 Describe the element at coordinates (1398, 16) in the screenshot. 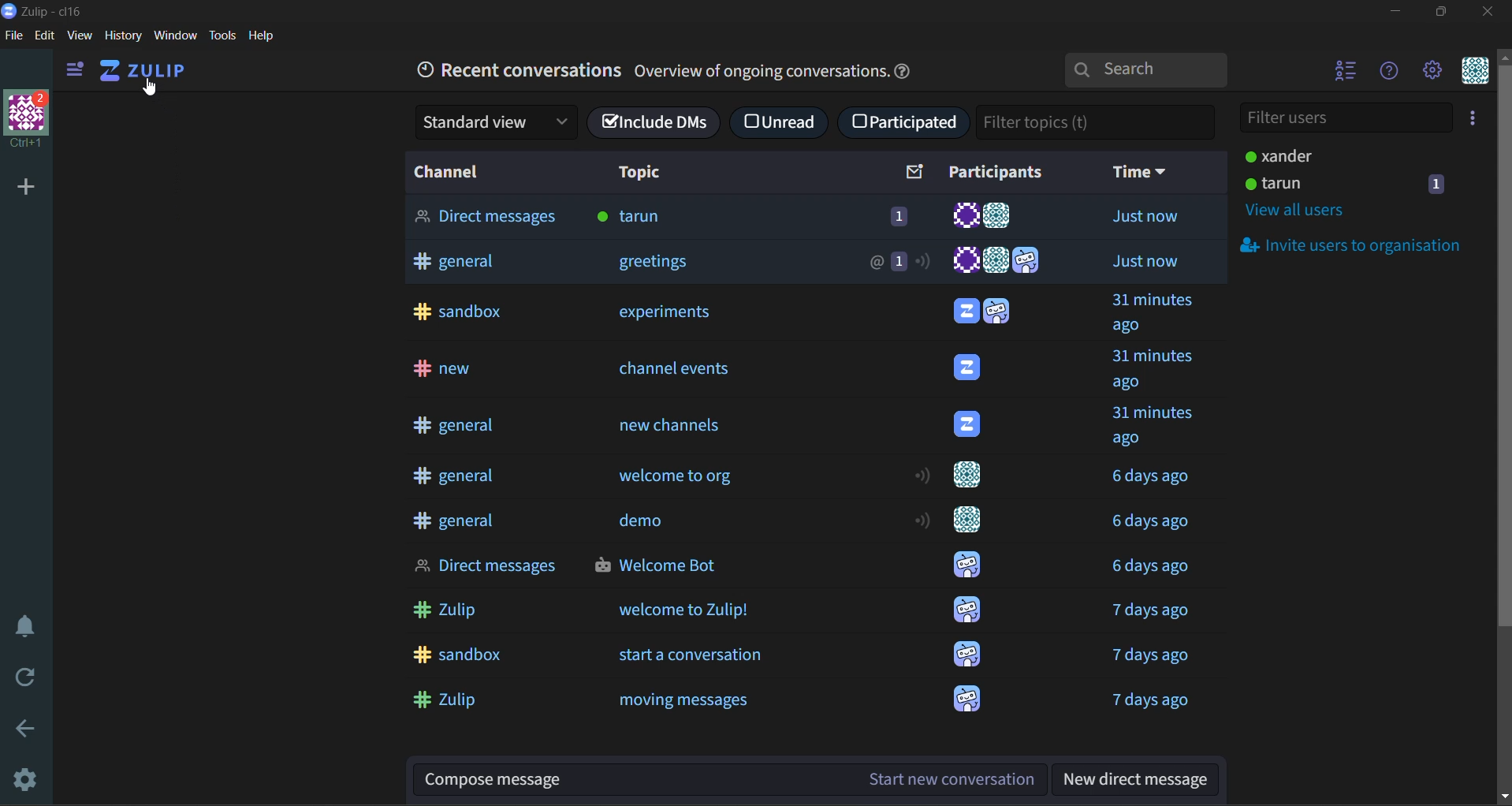

I see `minimize` at that location.